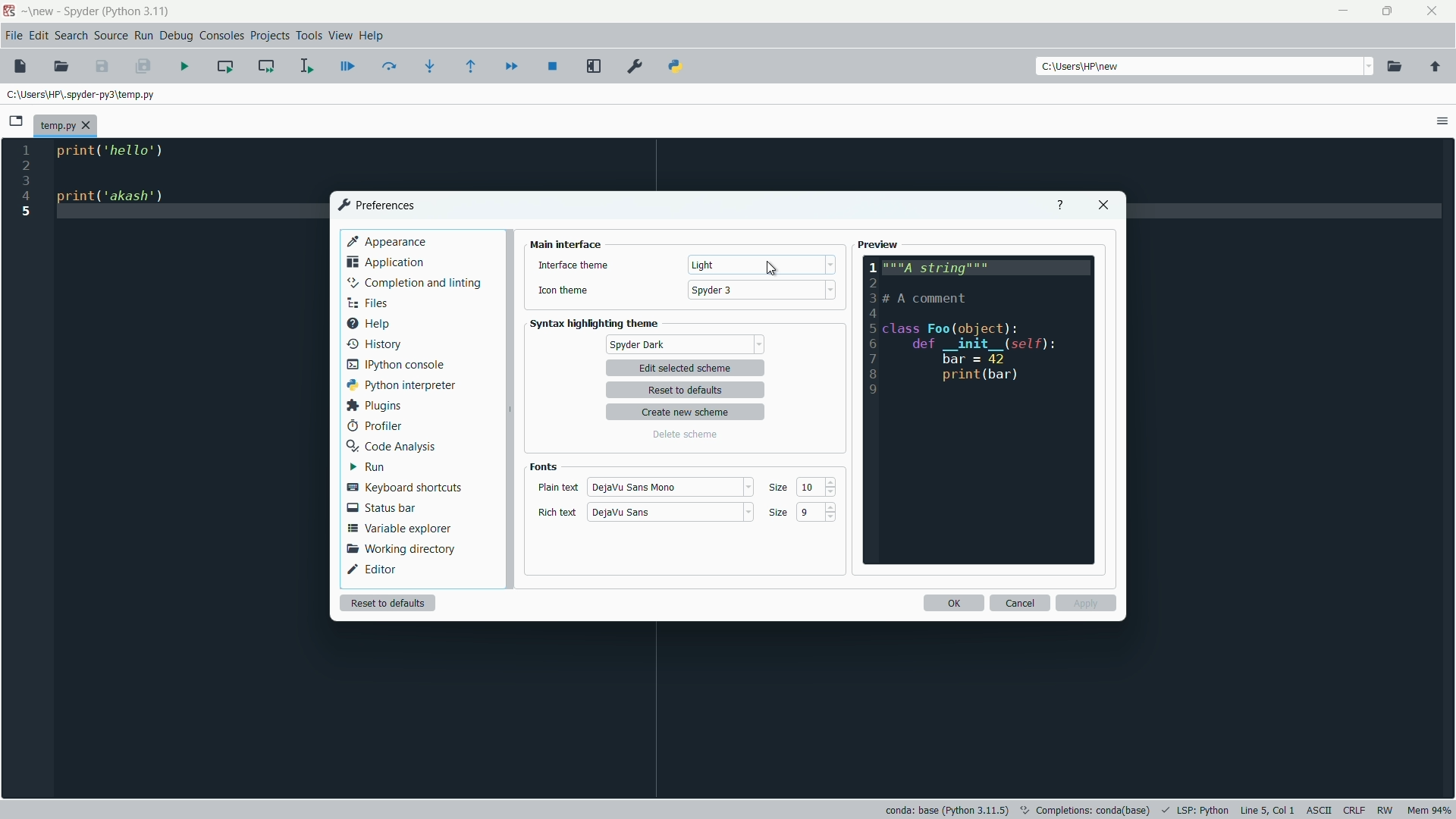 The width and height of the screenshot is (1456, 819). Describe the element at coordinates (17, 121) in the screenshot. I see `browse tabs` at that location.